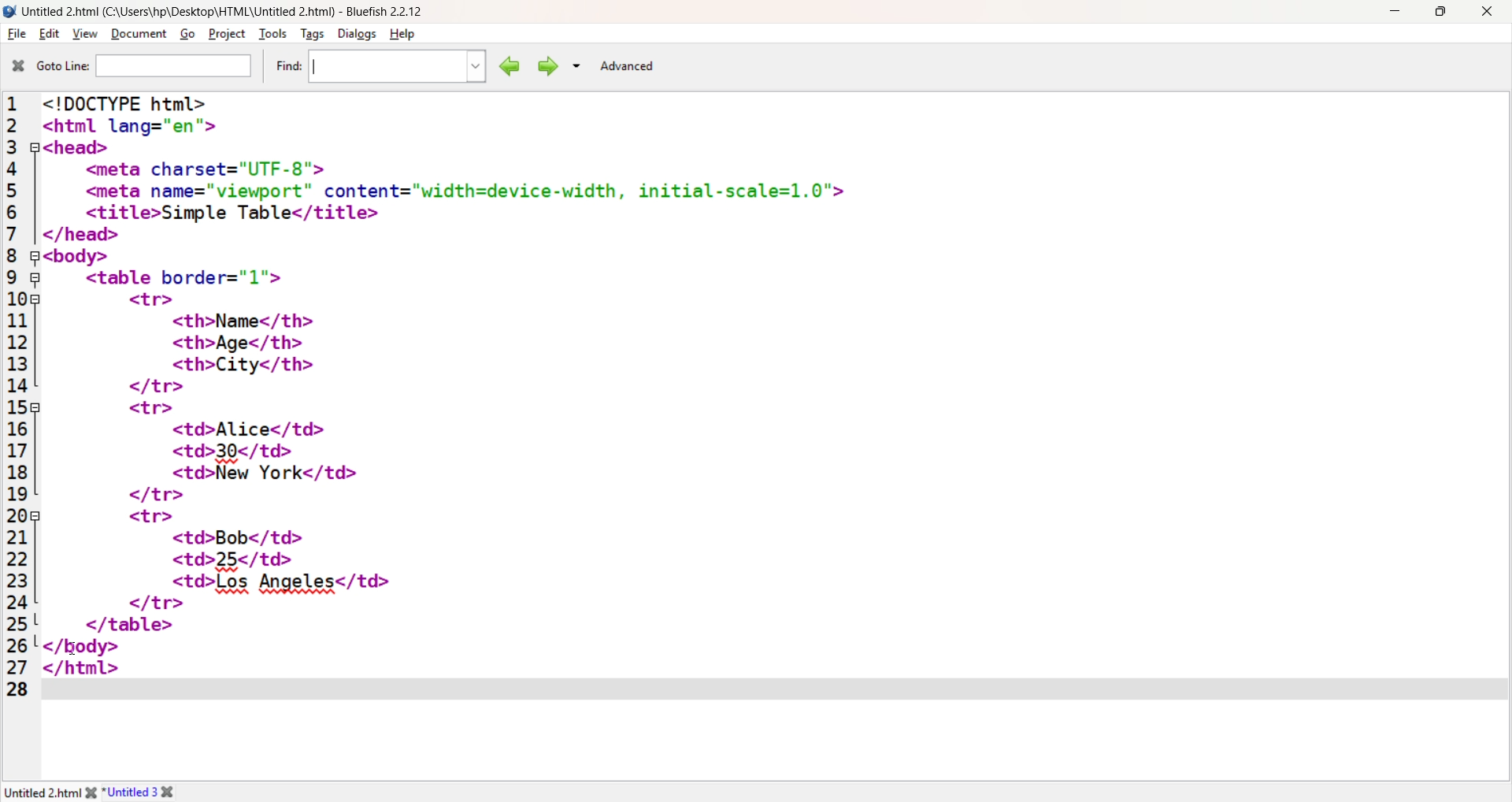  Describe the element at coordinates (138, 35) in the screenshot. I see `Document` at that location.